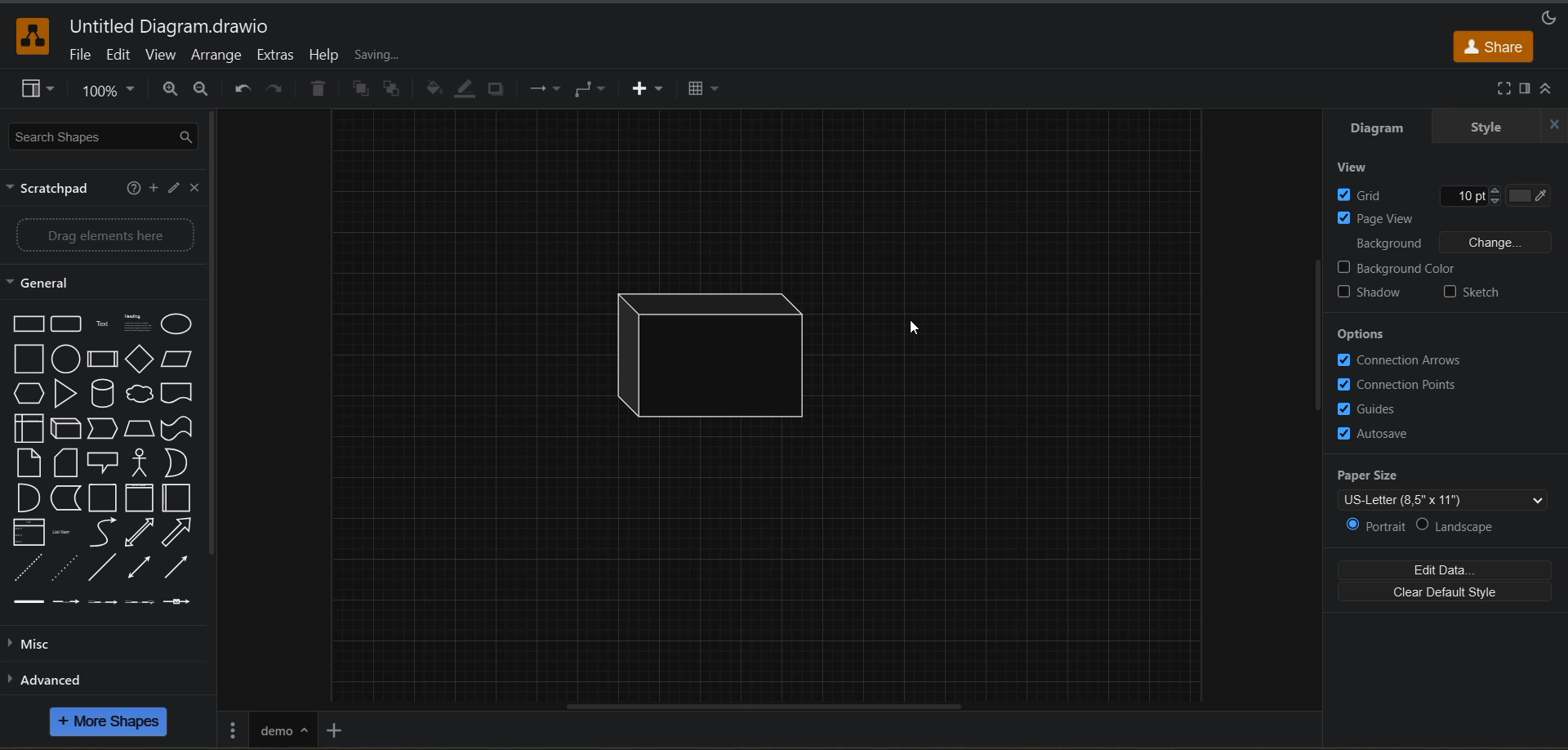  What do you see at coordinates (1370, 194) in the screenshot?
I see `grid` at bounding box center [1370, 194].